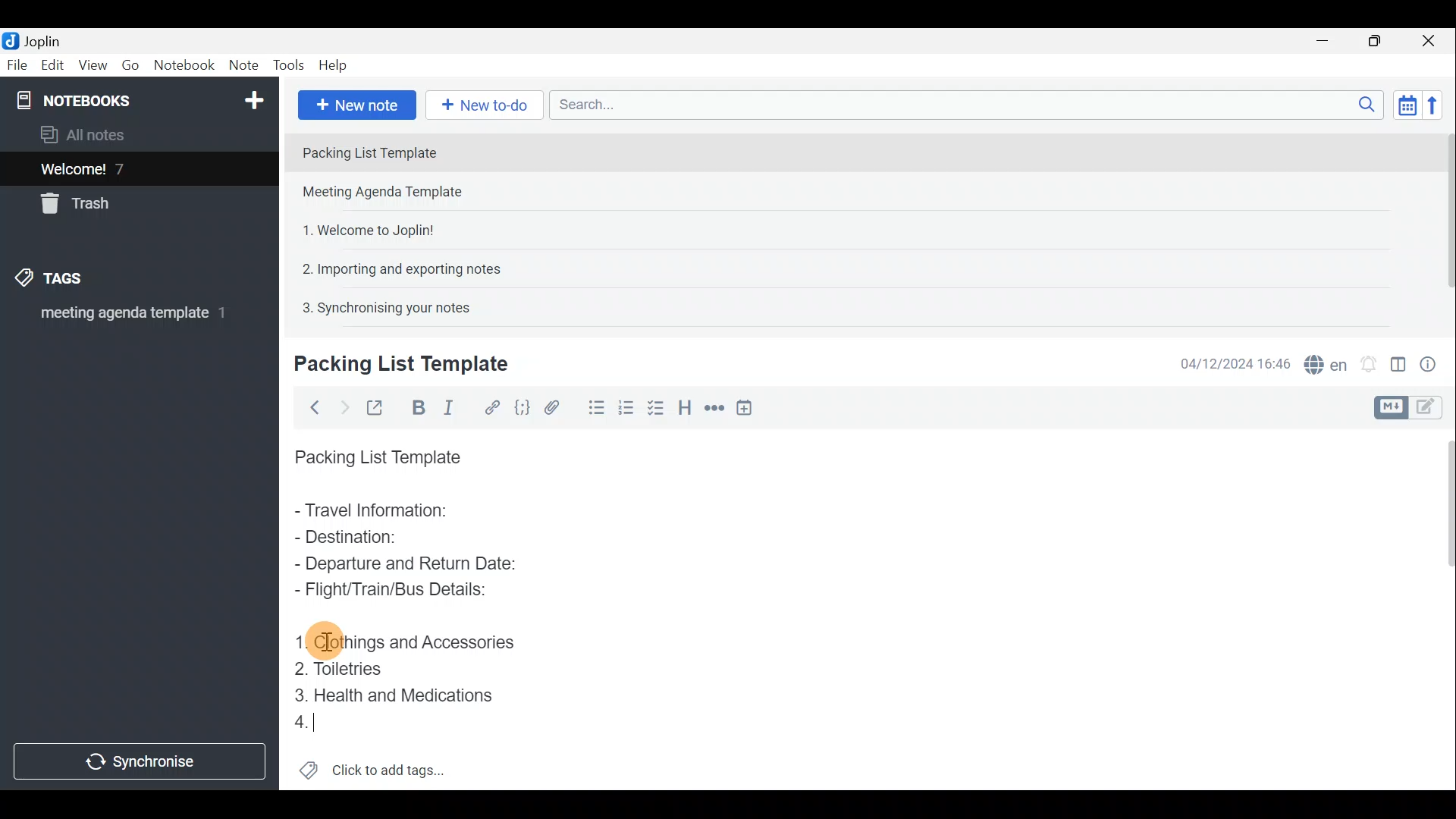 The height and width of the screenshot is (819, 1456). Describe the element at coordinates (392, 365) in the screenshot. I see `Creating new note` at that location.